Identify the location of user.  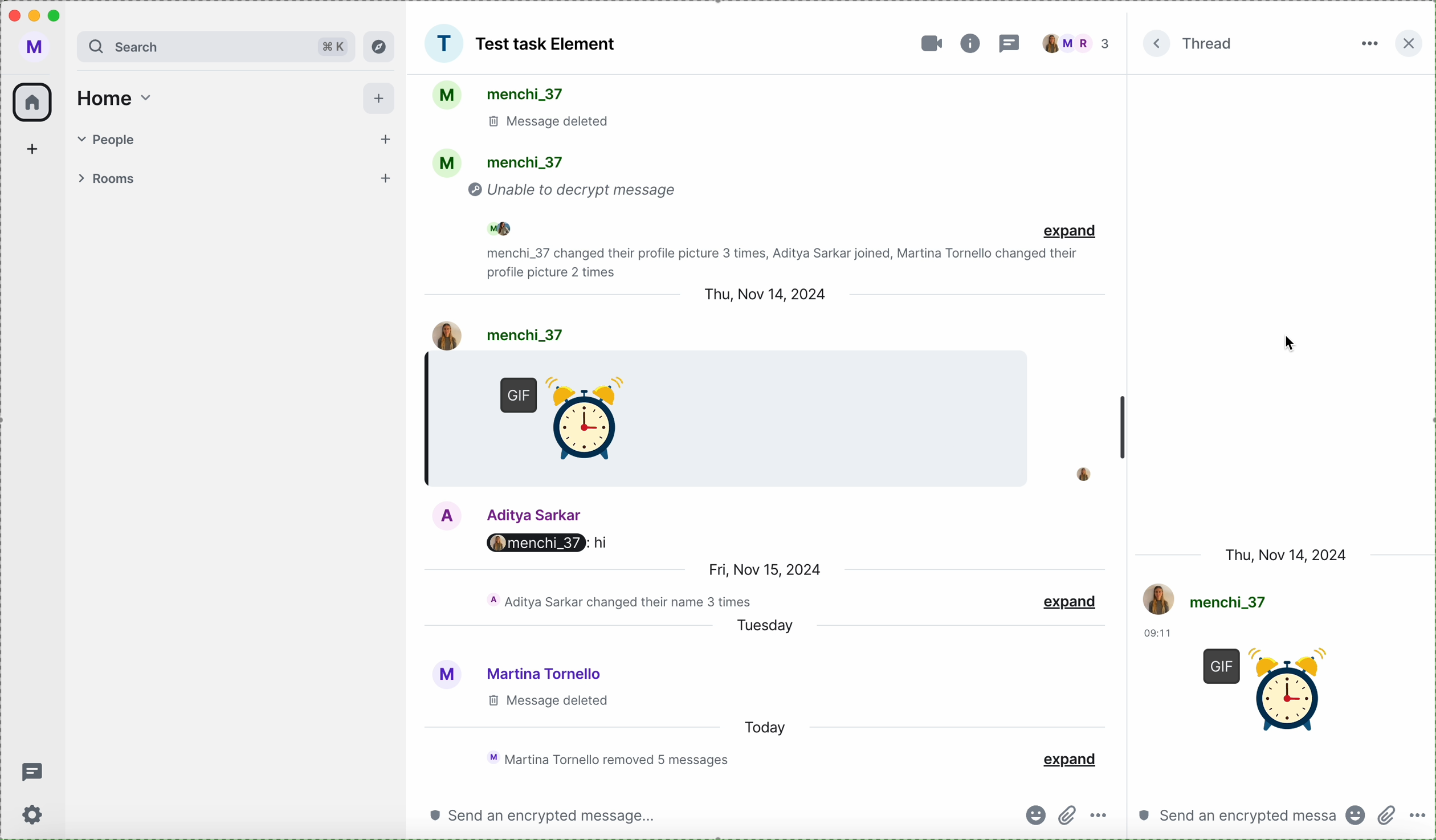
(1209, 600).